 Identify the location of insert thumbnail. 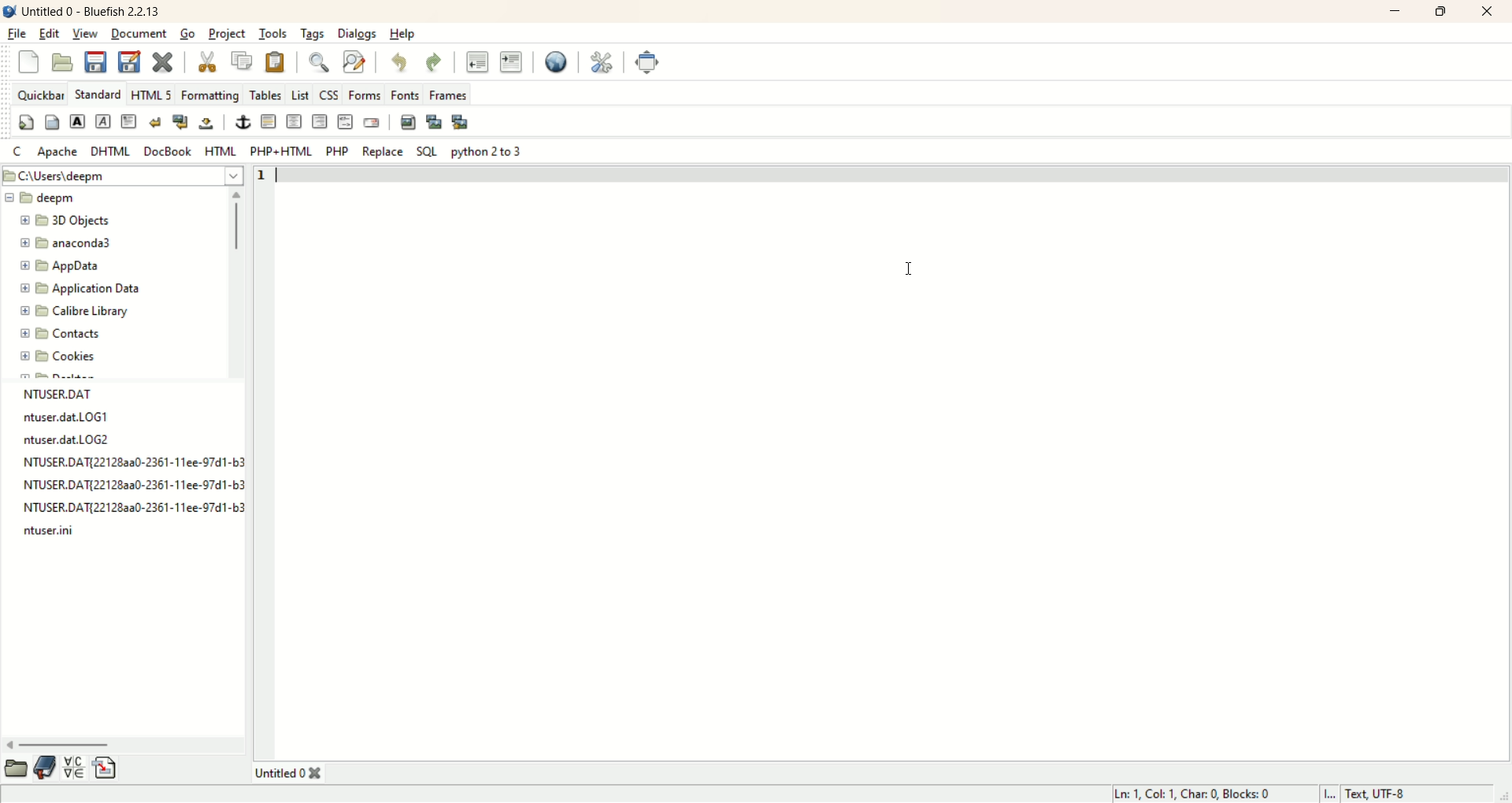
(432, 122).